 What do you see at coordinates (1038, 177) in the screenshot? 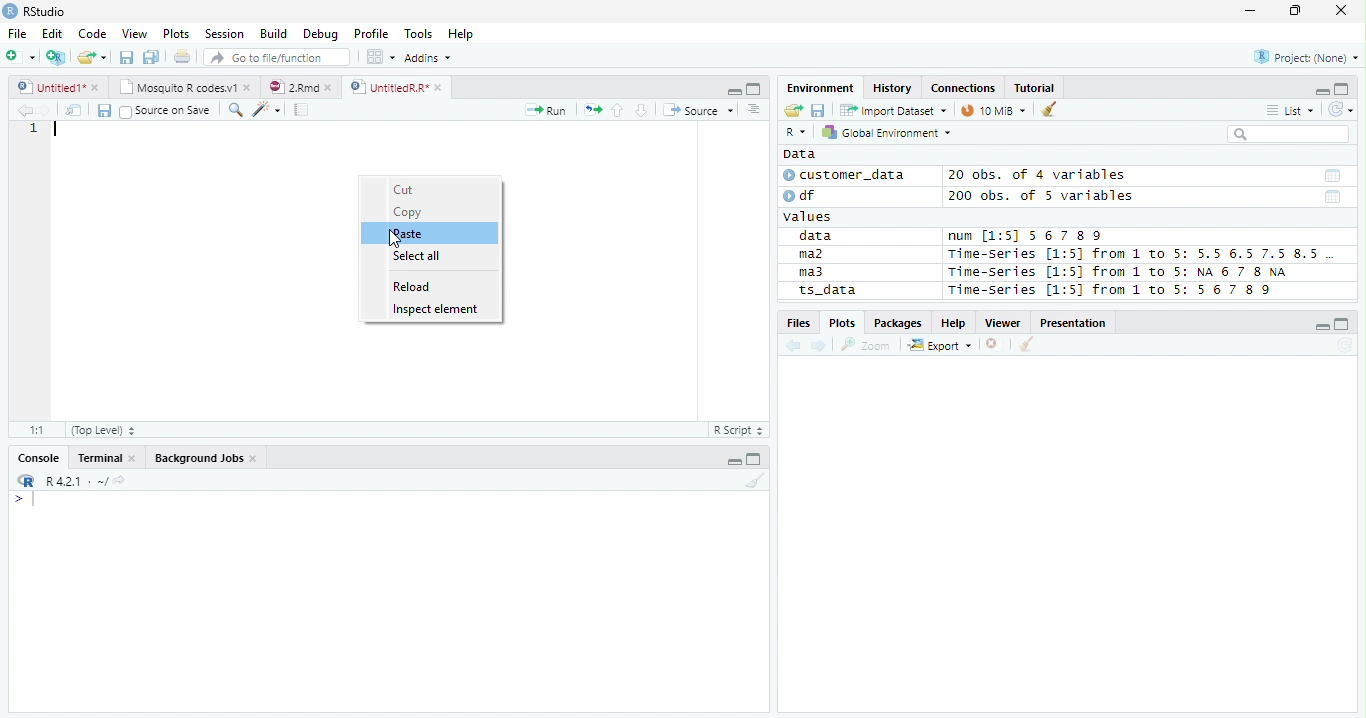
I see `20 obs. of 4 variables` at bounding box center [1038, 177].